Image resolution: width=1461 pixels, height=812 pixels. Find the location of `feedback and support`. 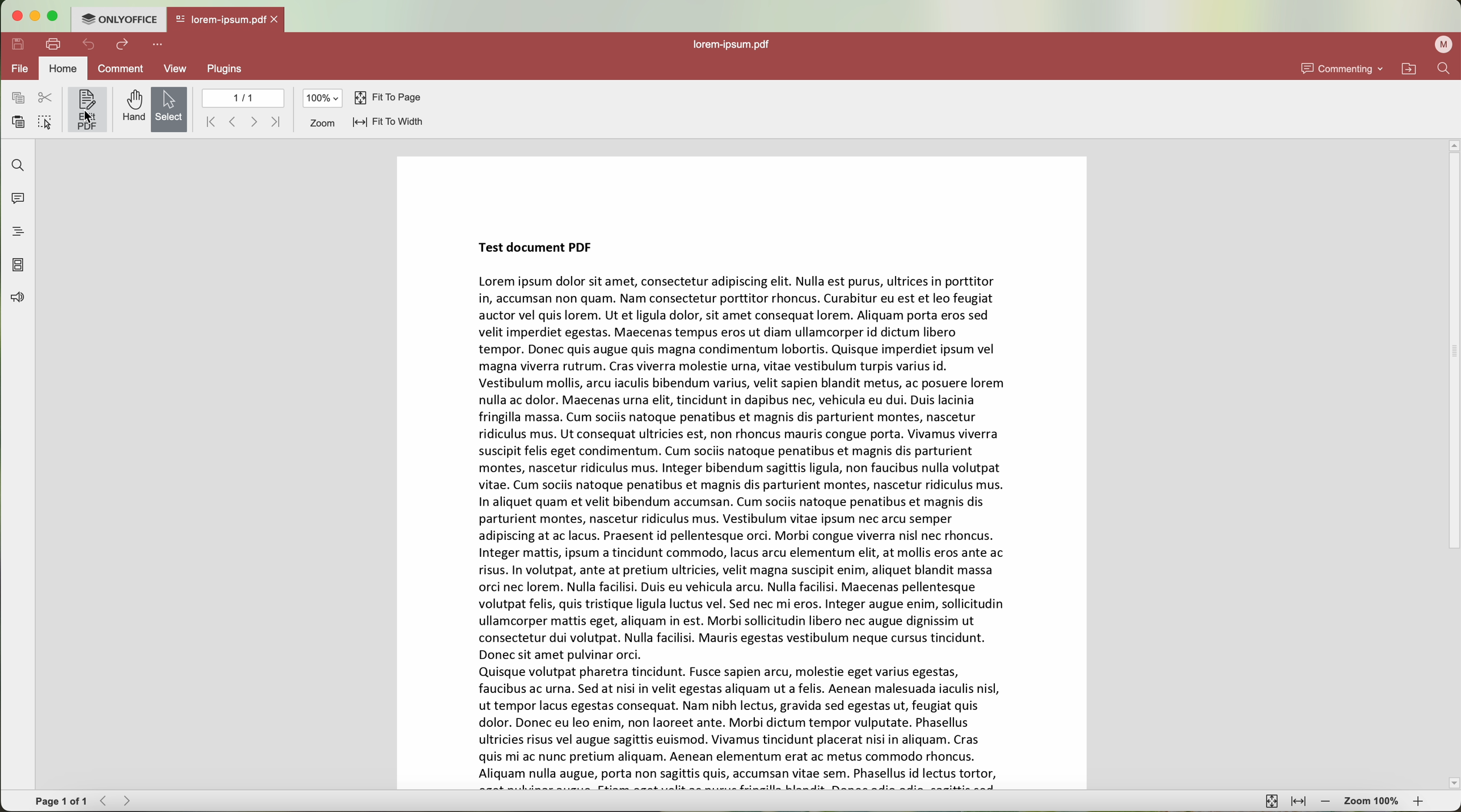

feedback and support is located at coordinates (18, 298).